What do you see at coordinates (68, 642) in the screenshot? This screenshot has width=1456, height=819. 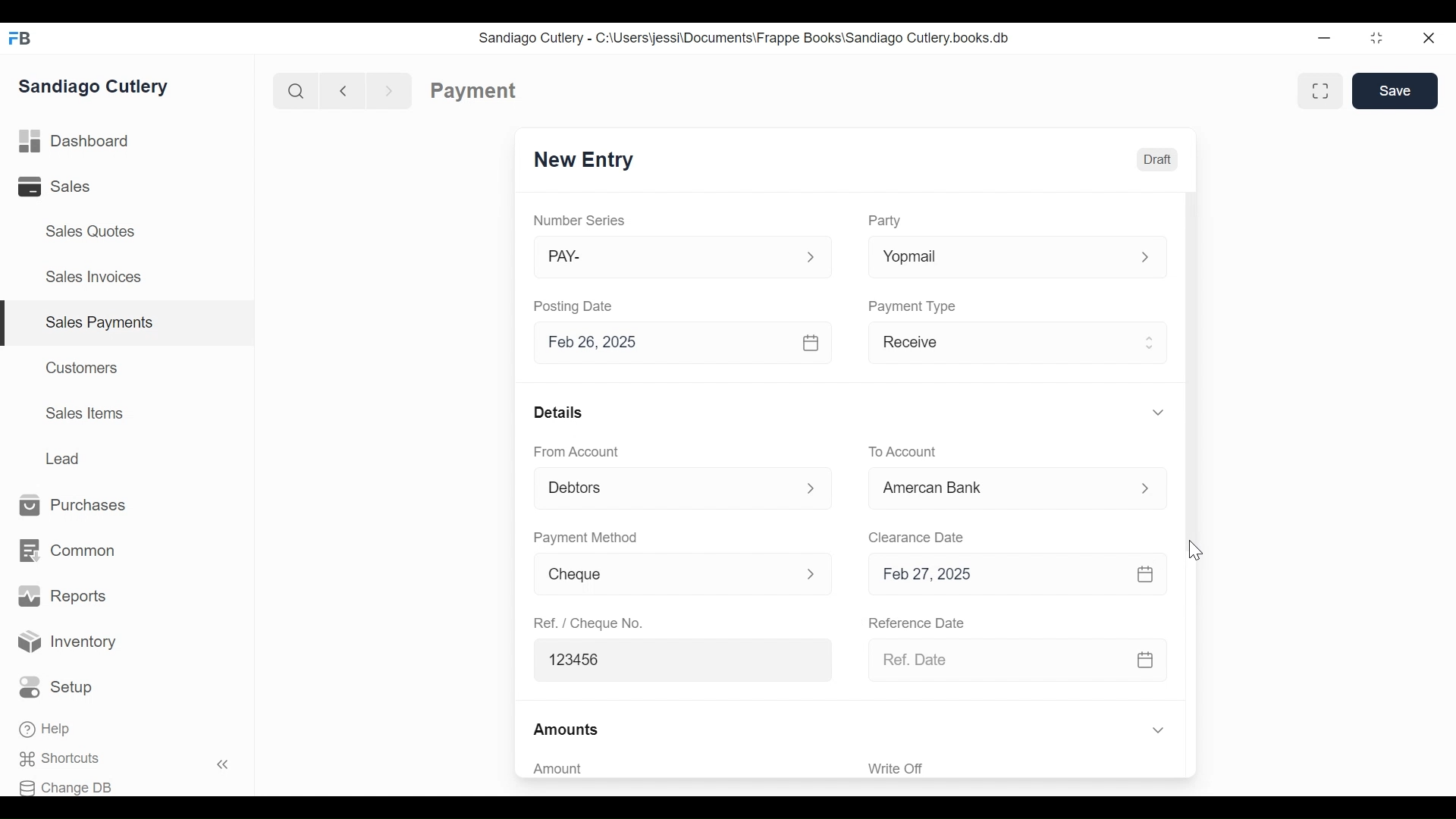 I see `Inventory` at bounding box center [68, 642].